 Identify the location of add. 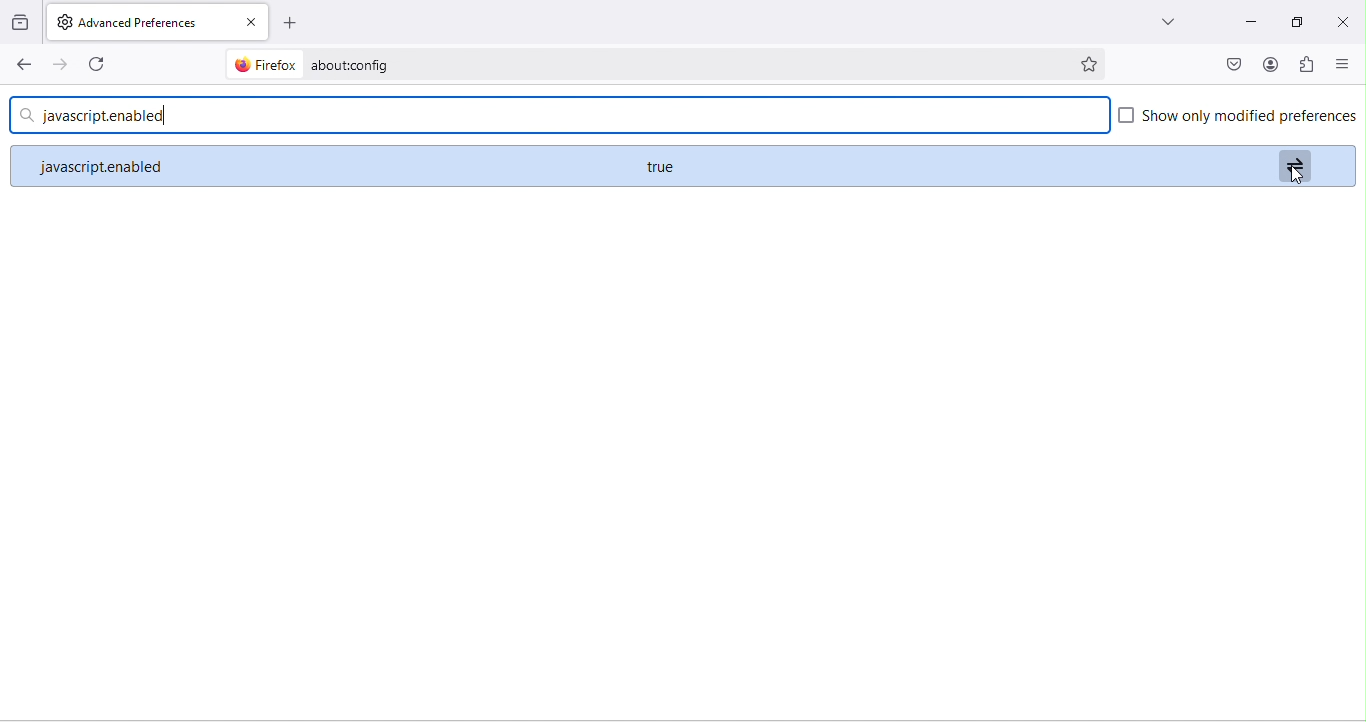
(295, 24).